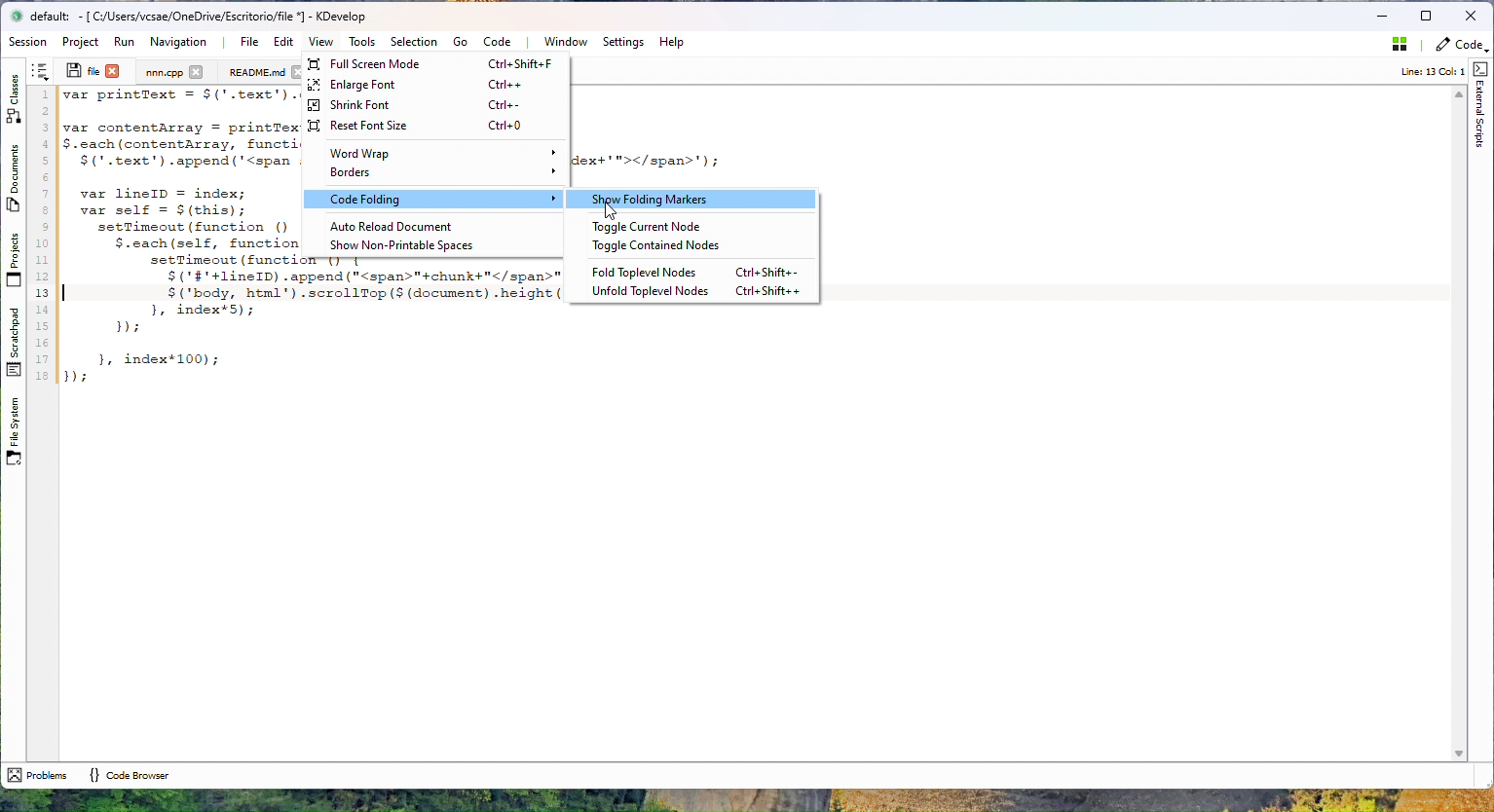 The image size is (1494, 812). What do you see at coordinates (699, 272) in the screenshot?
I see `Fold Top Level Nodes` at bounding box center [699, 272].